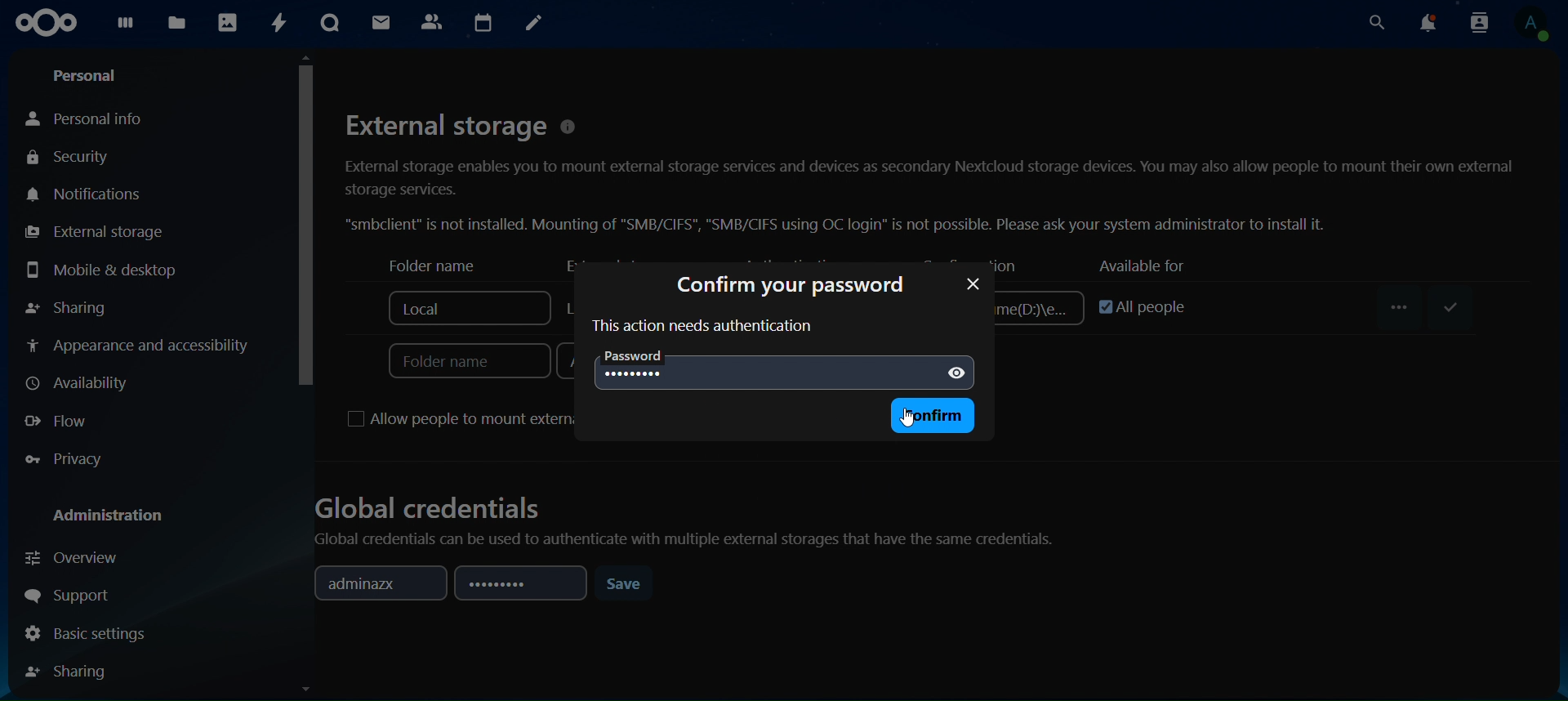 Image resolution: width=1568 pixels, height=701 pixels. I want to click on contact, so click(433, 22).